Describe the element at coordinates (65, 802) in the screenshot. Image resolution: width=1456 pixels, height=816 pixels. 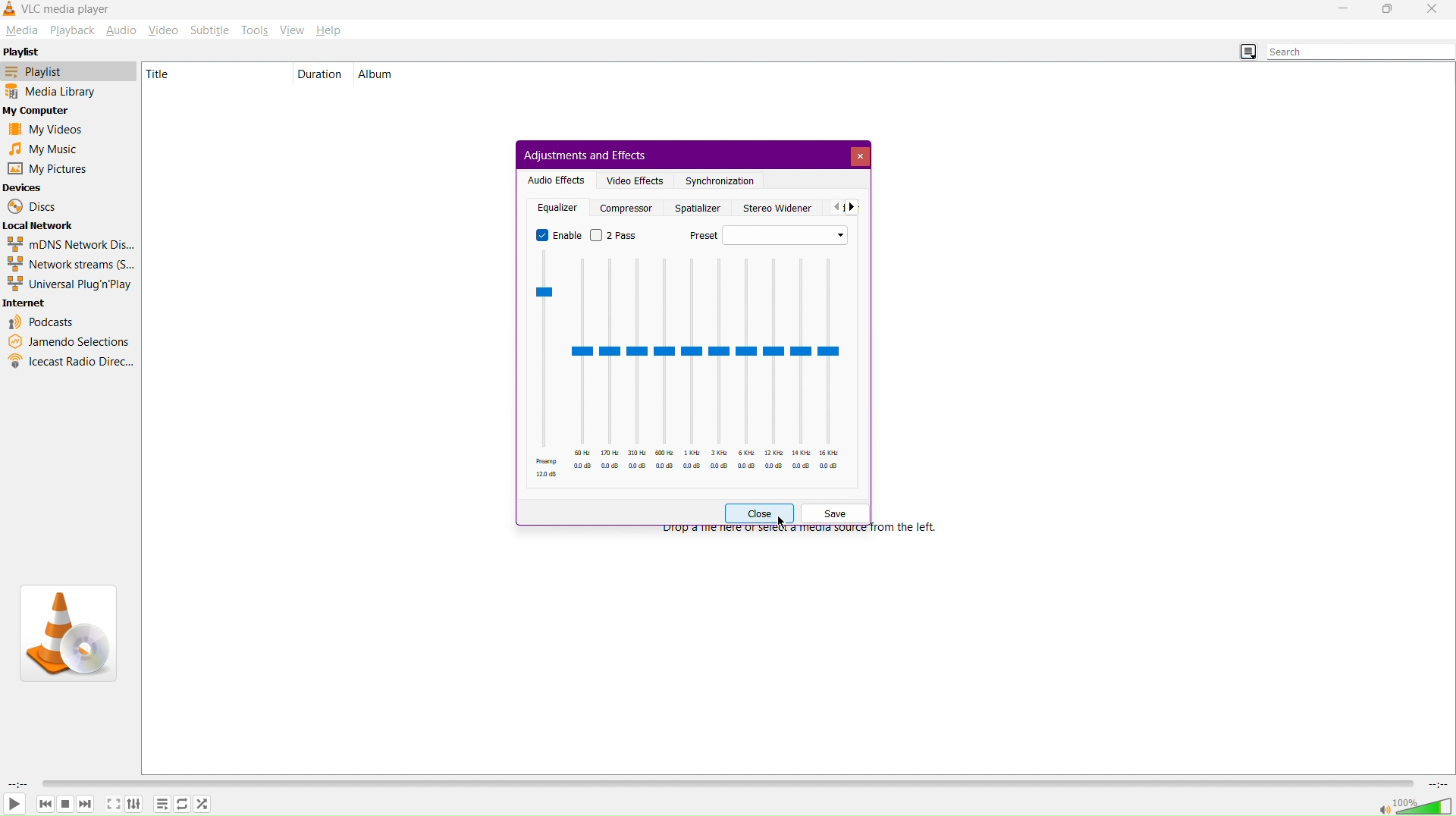
I see `Pause` at that location.